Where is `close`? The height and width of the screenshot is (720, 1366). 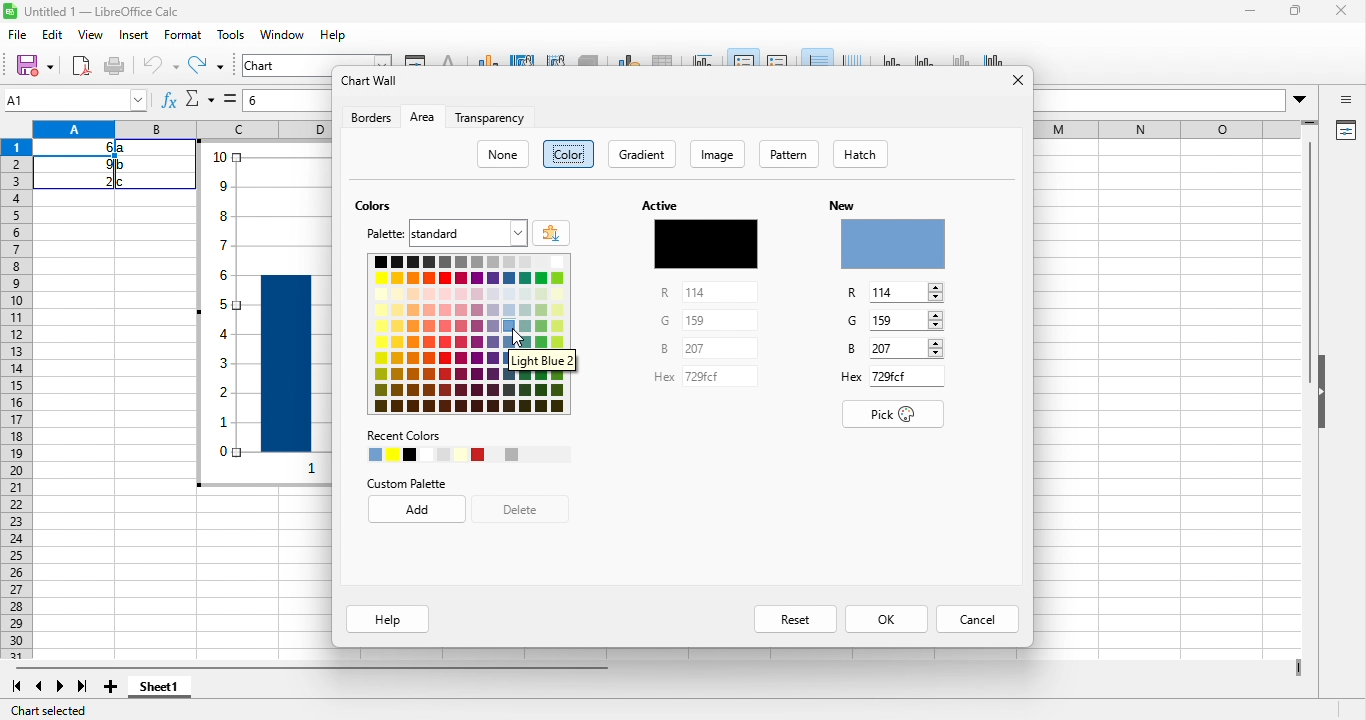
close is located at coordinates (1344, 12).